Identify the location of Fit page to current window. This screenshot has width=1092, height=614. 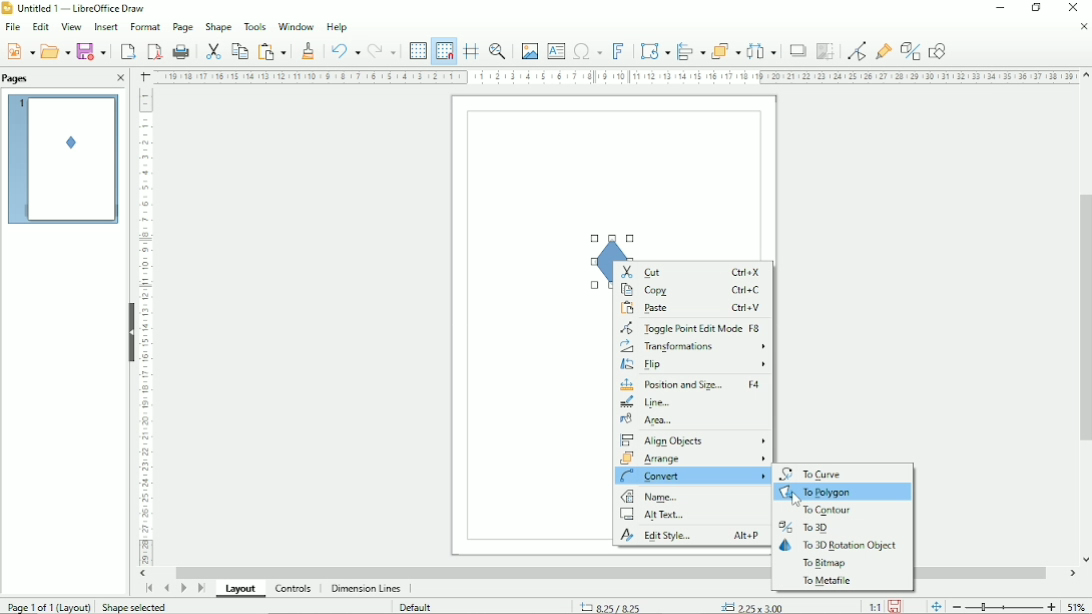
(934, 606).